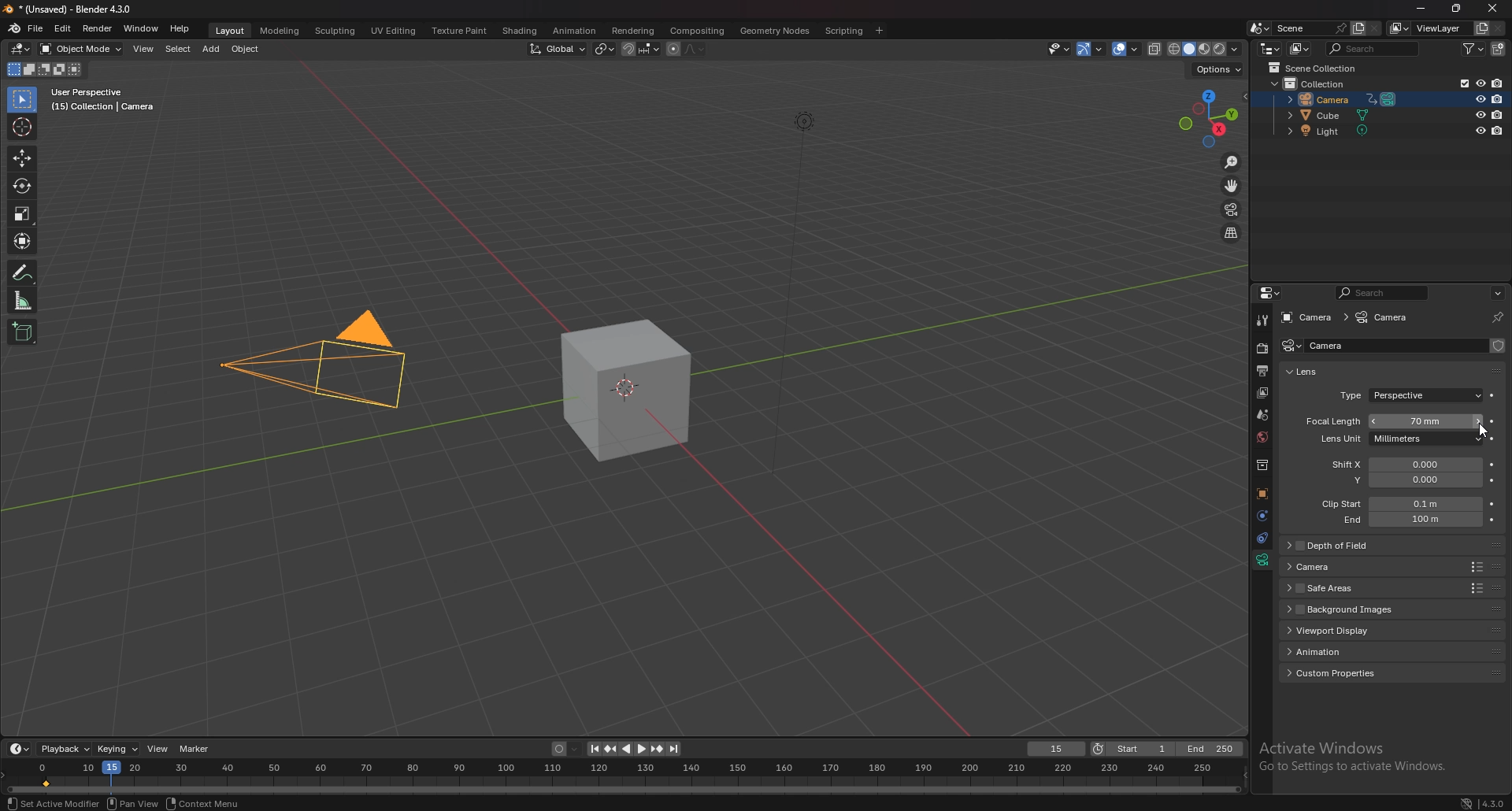 The width and height of the screenshot is (1512, 811). What do you see at coordinates (142, 28) in the screenshot?
I see `window` at bounding box center [142, 28].